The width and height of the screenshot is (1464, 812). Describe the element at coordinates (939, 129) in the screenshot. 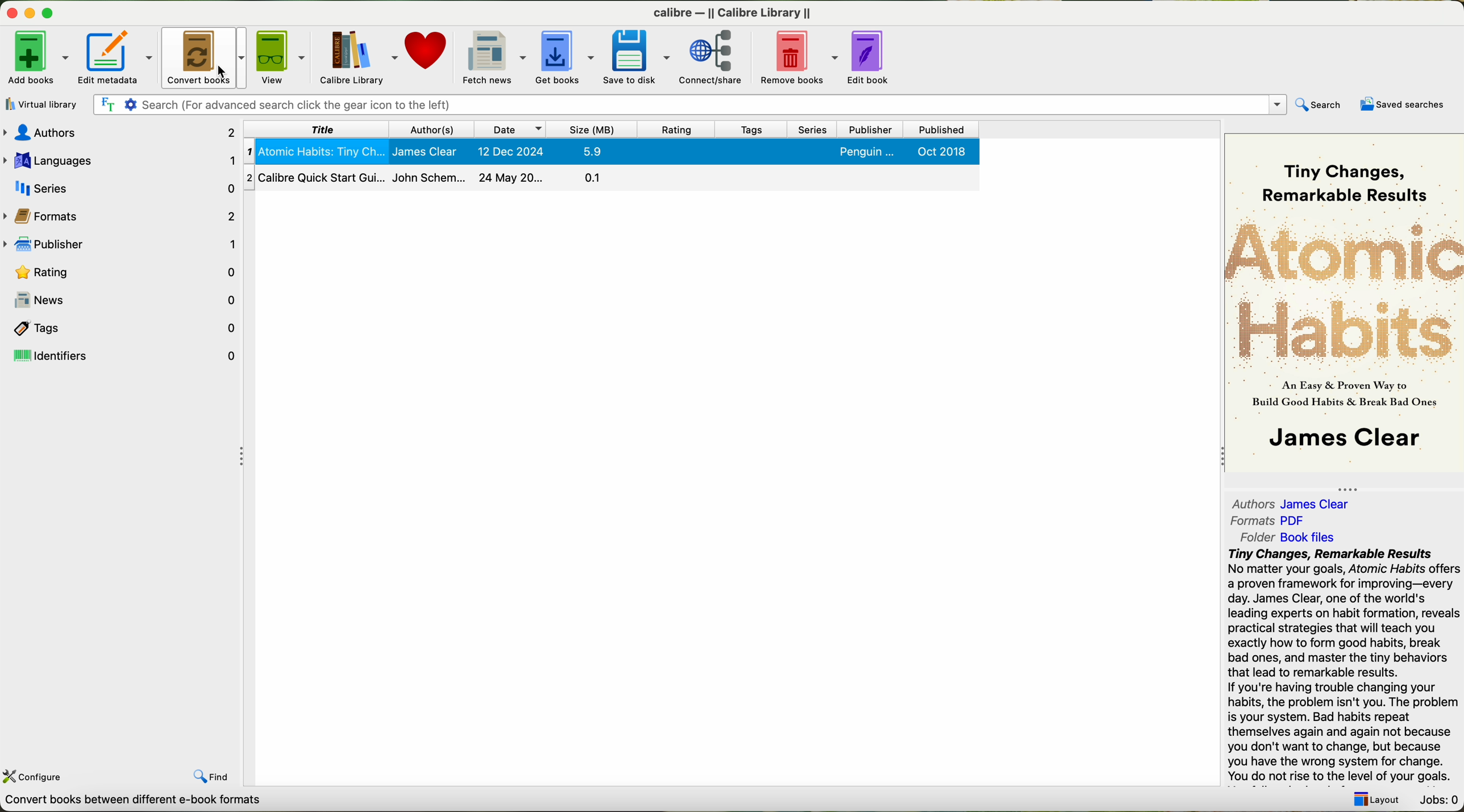

I see `published` at that location.